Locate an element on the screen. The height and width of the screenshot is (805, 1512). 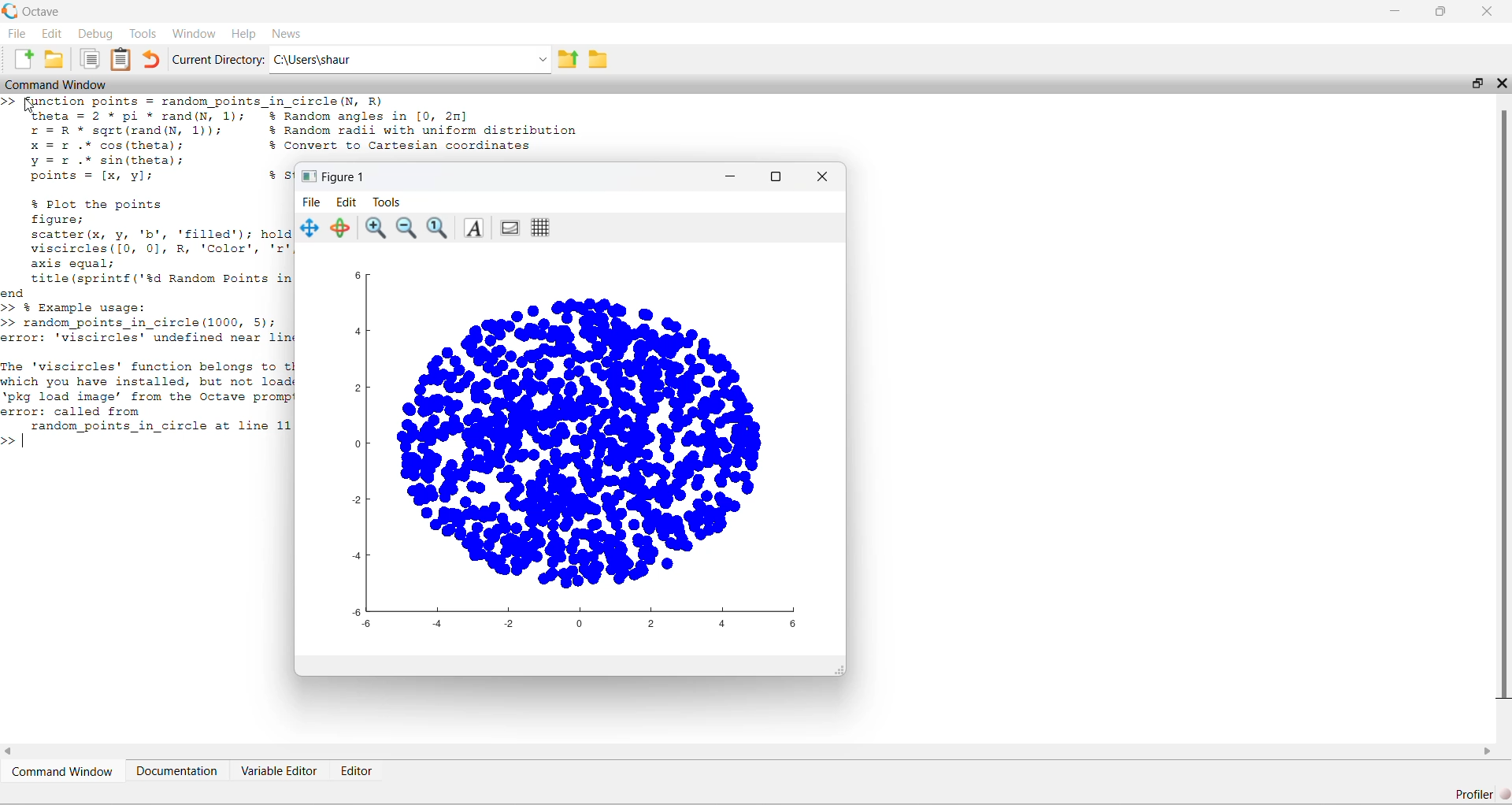
Rotate is located at coordinates (340, 228).